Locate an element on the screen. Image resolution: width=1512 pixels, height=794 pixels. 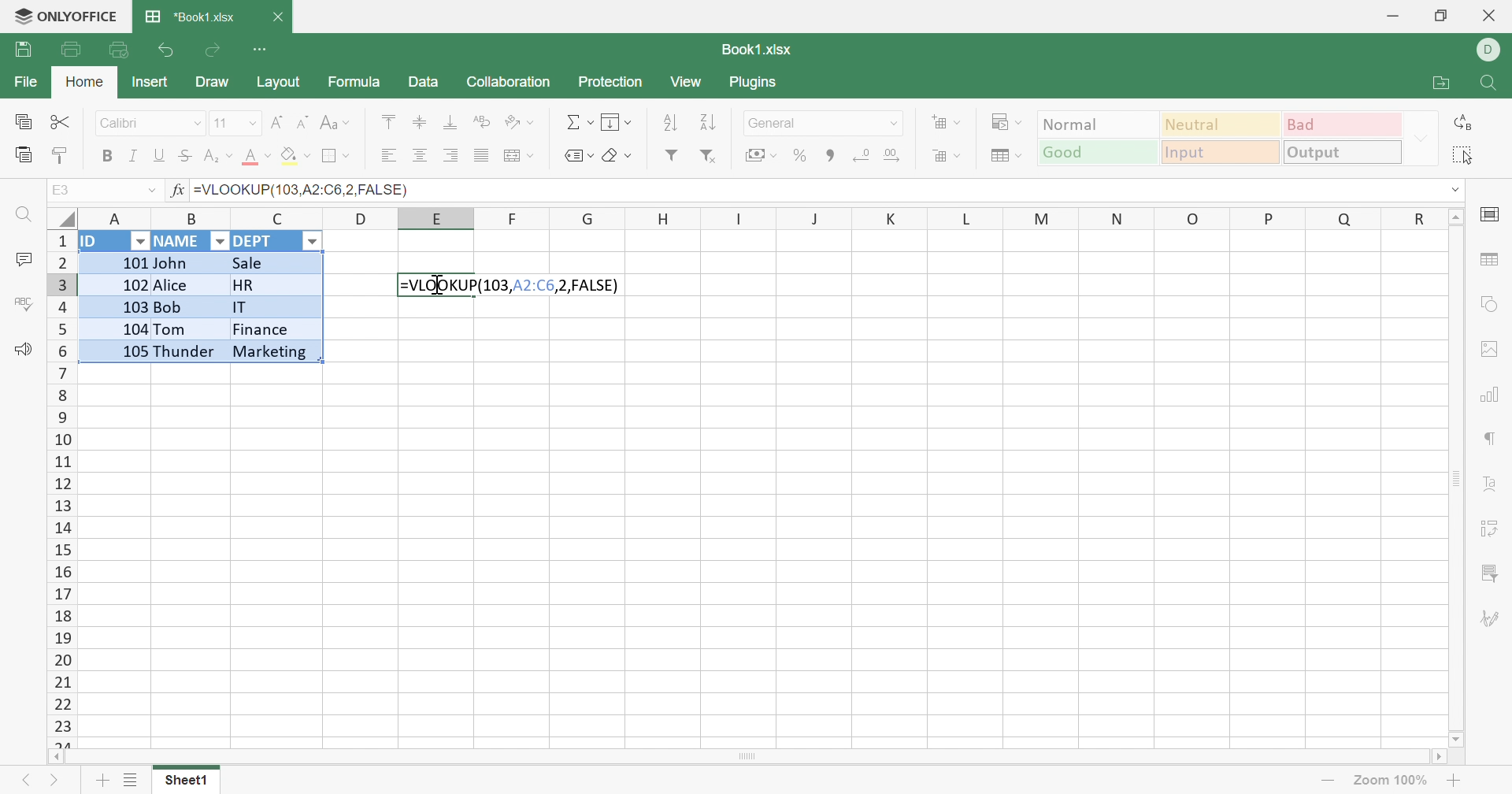
Increment font size is located at coordinates (276, 123).